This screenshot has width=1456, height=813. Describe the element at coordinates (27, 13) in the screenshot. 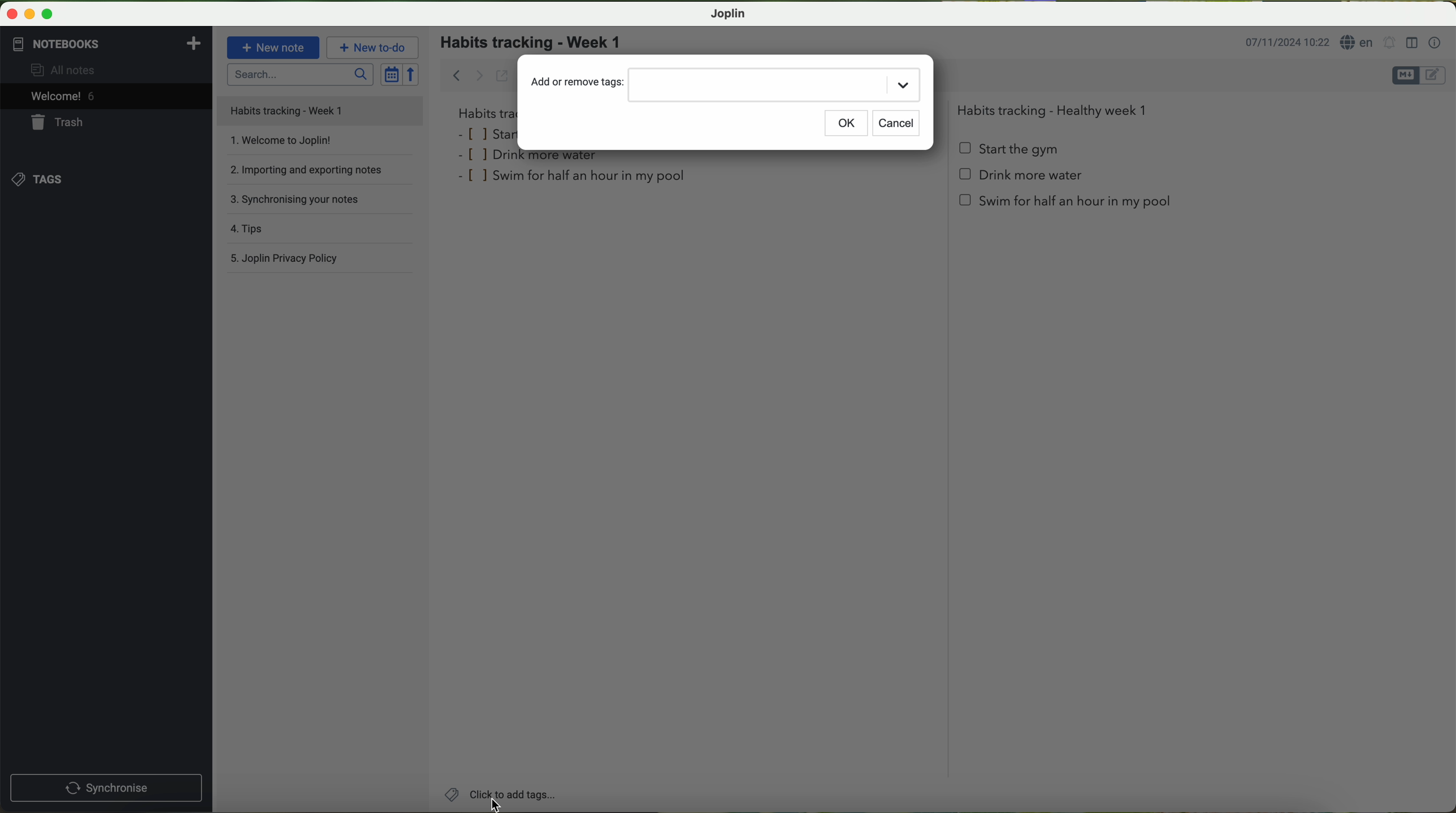

I see `minimize` at that location.